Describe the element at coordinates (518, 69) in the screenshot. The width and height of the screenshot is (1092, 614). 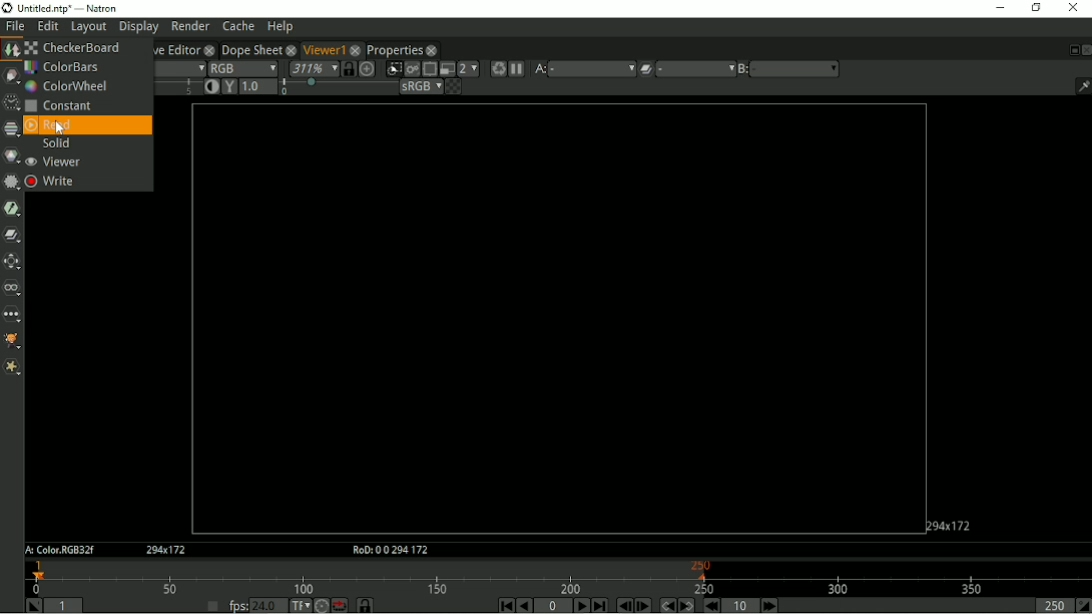
I see `Pause updates` at that location.